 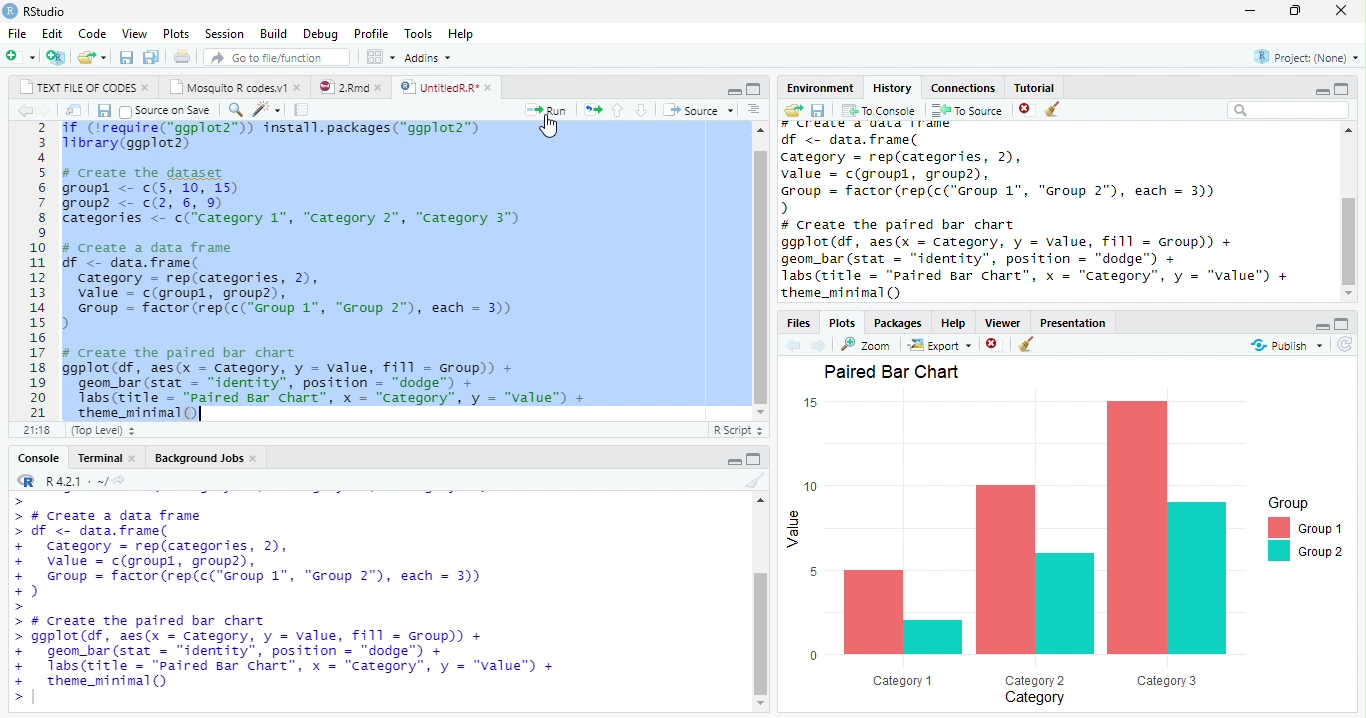 I want to click on close, so click(x=254, y=459).